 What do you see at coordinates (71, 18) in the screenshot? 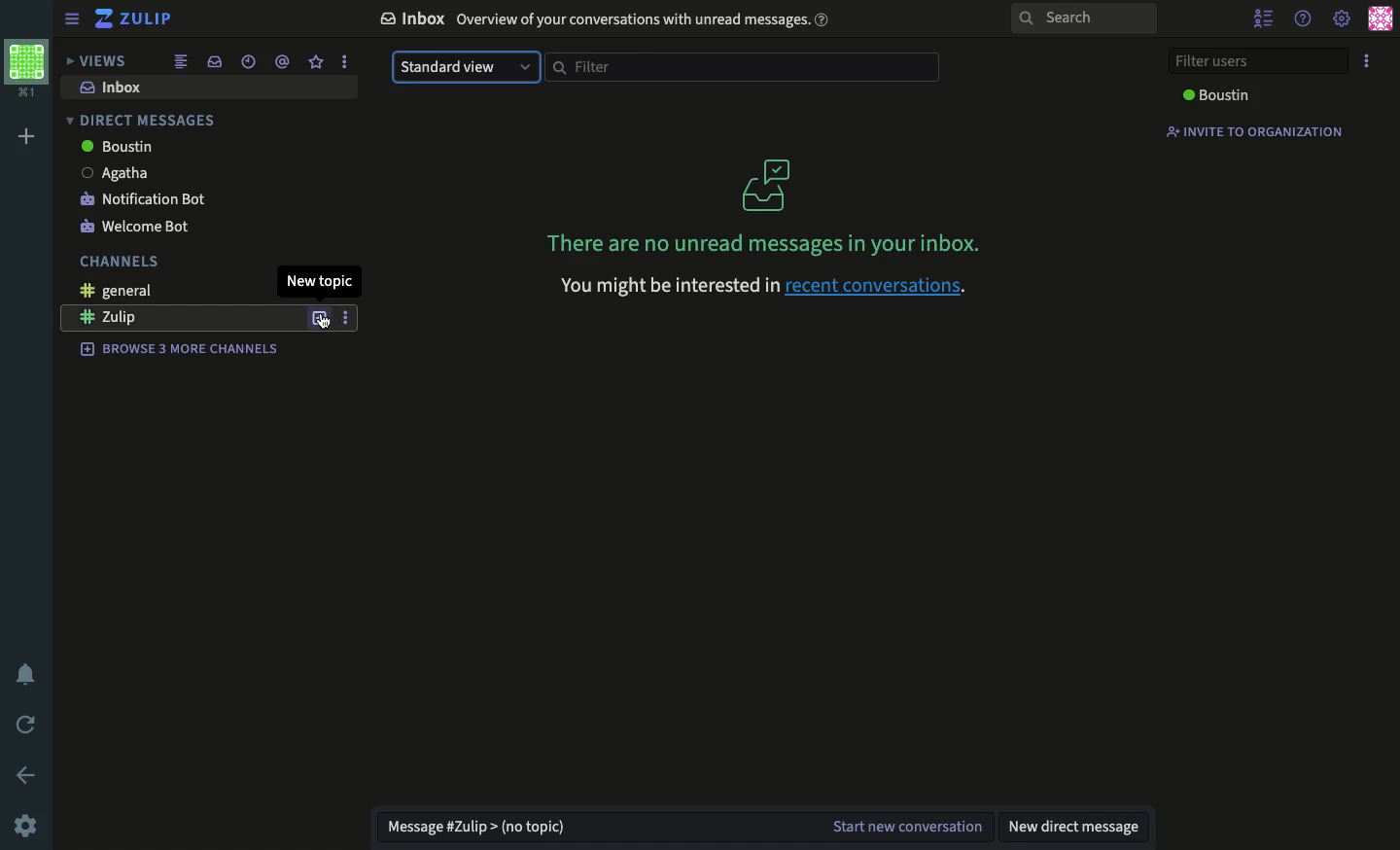
I see `sidebar` at bounding box center [71, 18].